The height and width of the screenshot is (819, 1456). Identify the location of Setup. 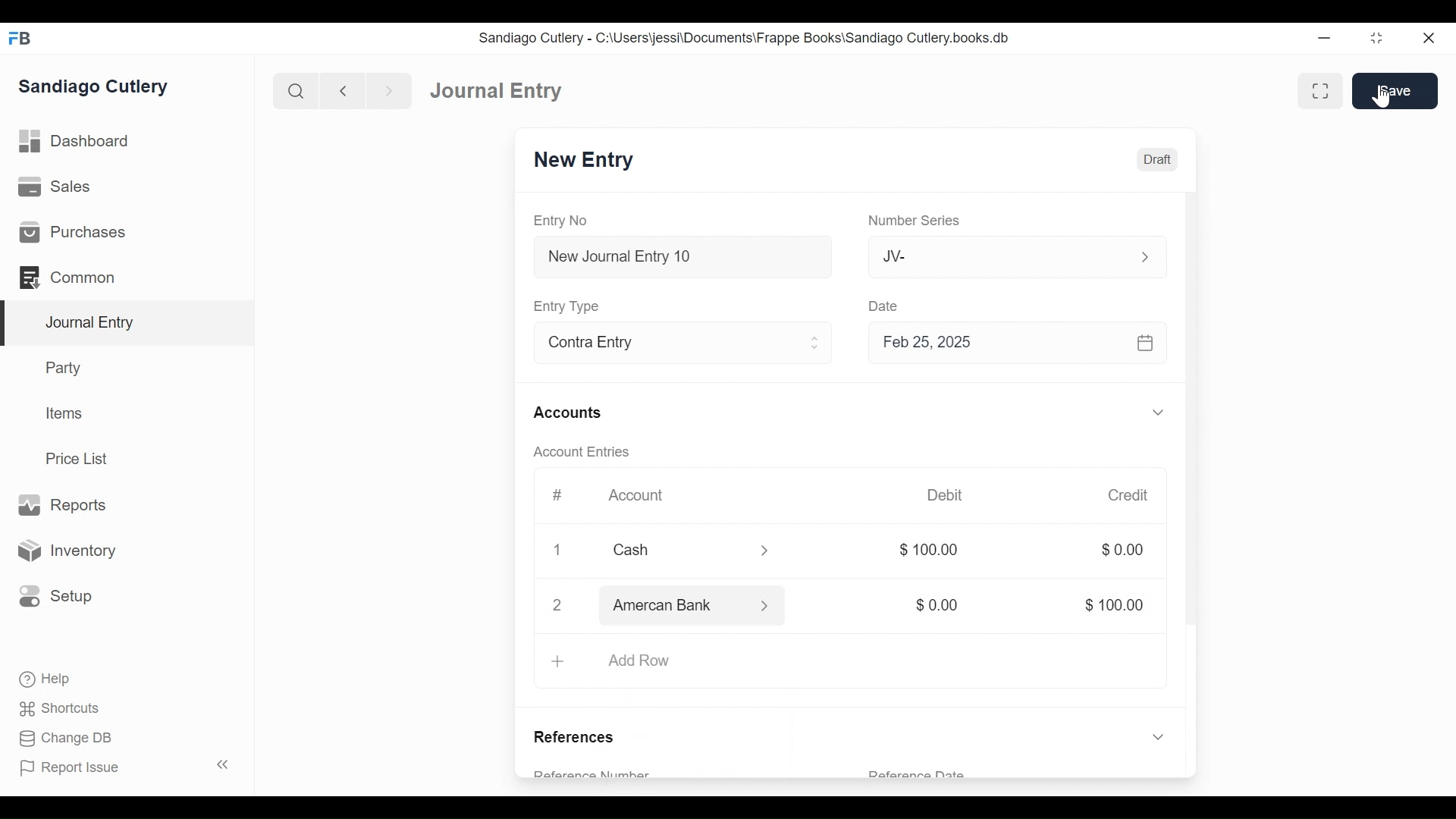
(56, 595).